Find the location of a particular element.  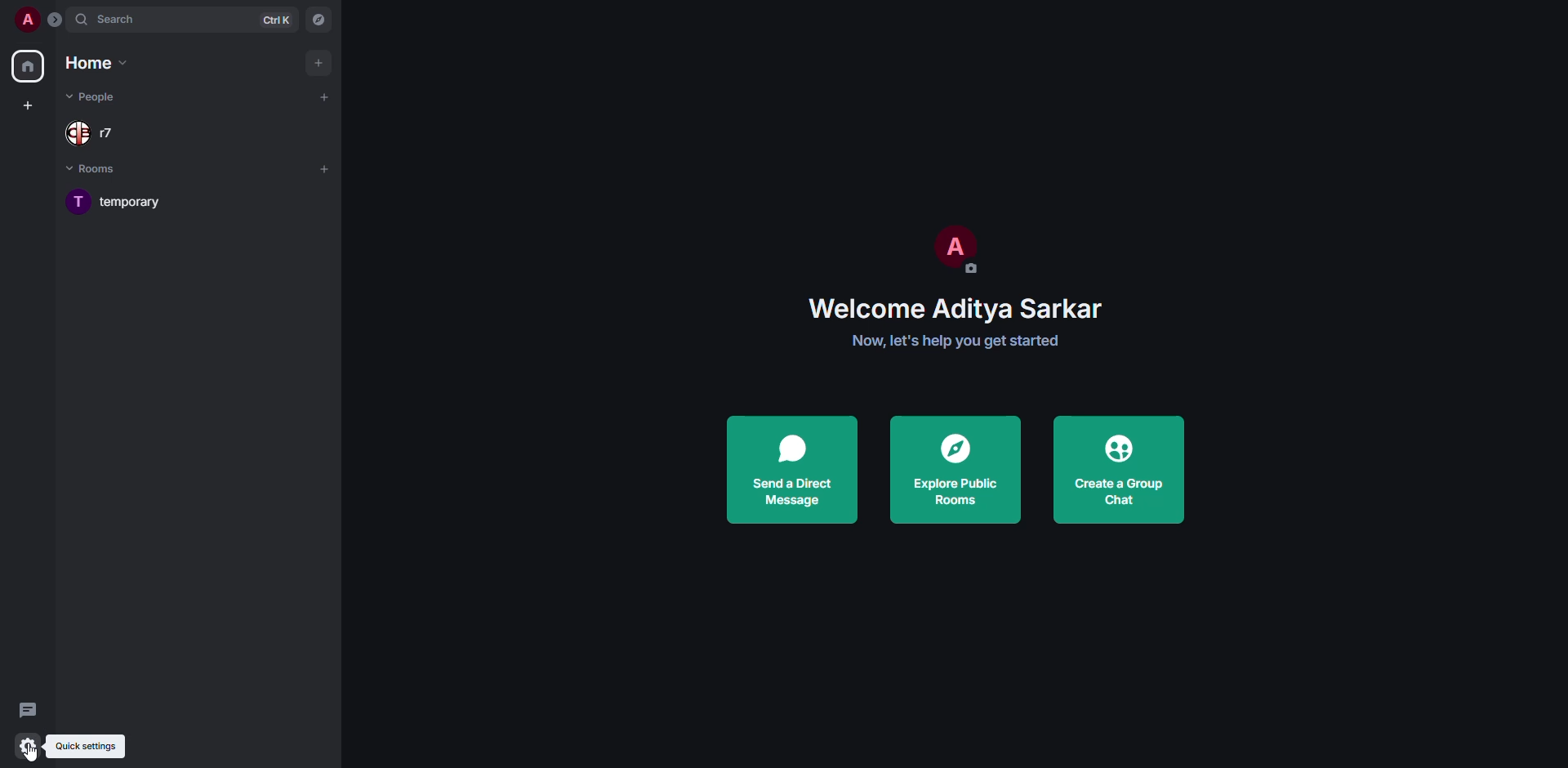

create a group chat is located at coordinates (1119, 471).